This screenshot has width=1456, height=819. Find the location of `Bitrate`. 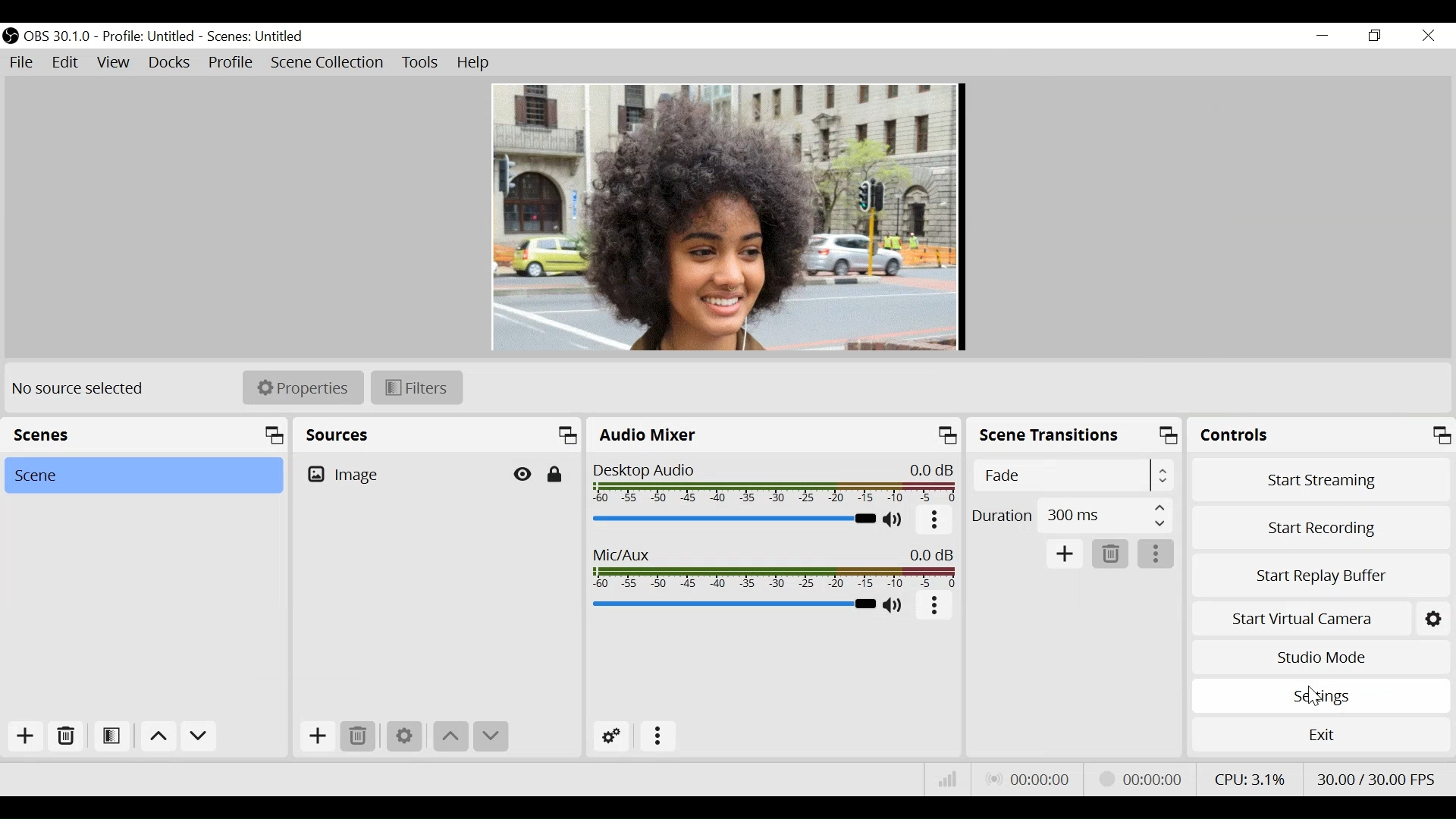

Bitrate is located at coordinates (950, 778).